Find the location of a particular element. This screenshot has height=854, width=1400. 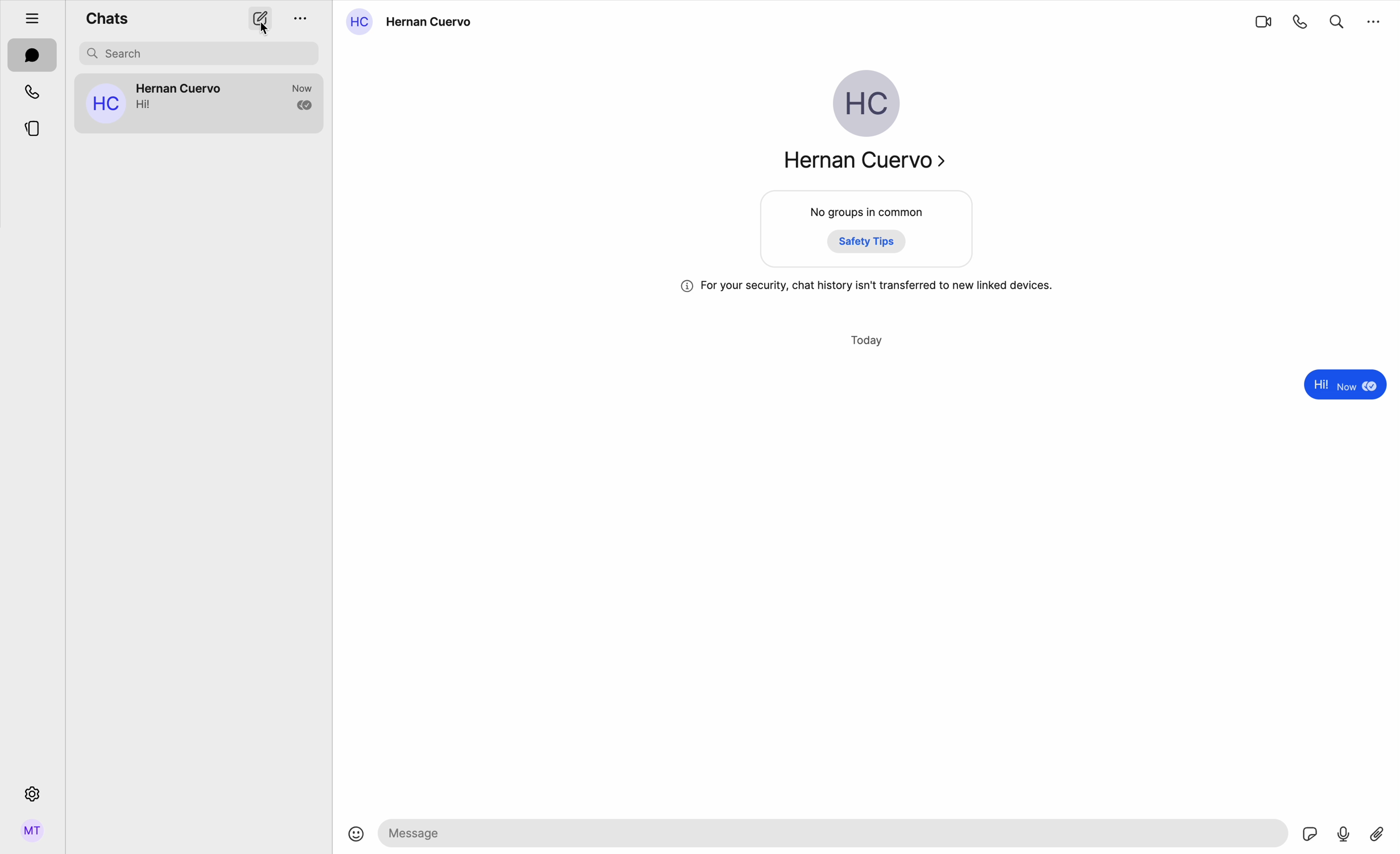

no groups in common is located at coordinates (868, 231).